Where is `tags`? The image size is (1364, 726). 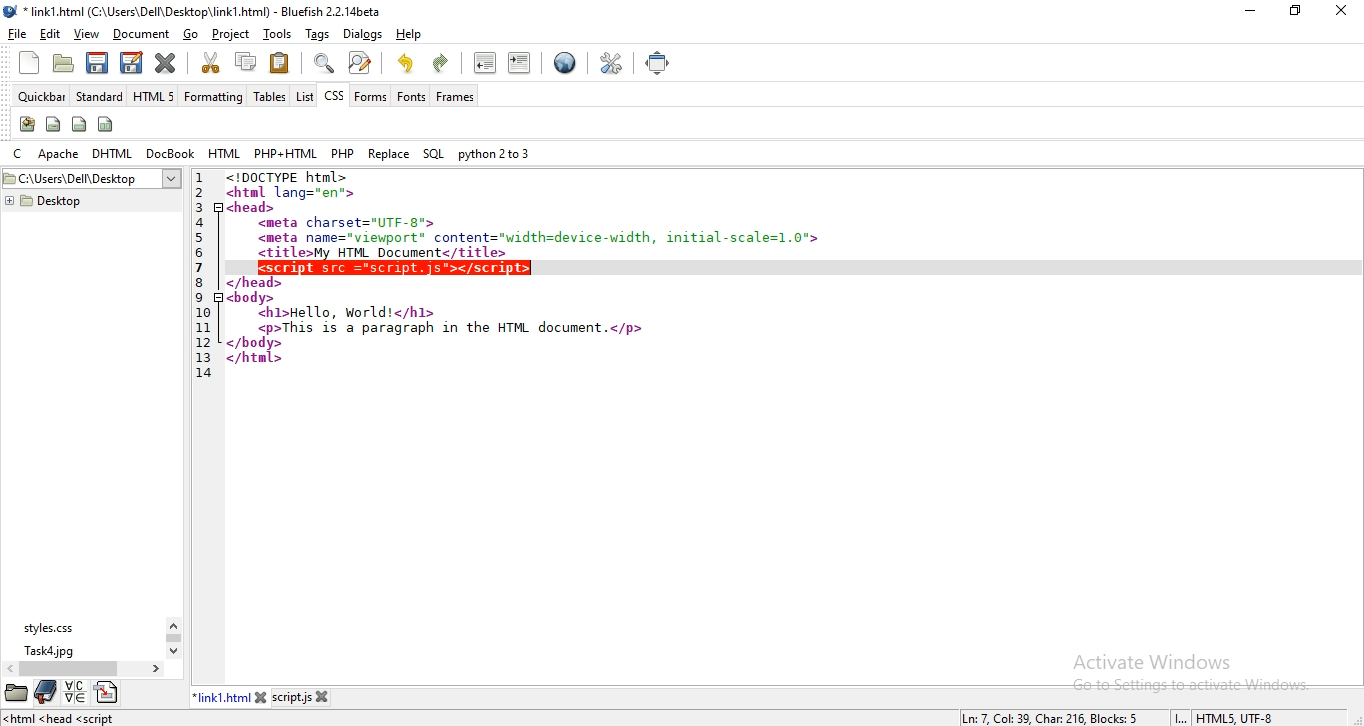 tags is located at coordinates (317, 34).